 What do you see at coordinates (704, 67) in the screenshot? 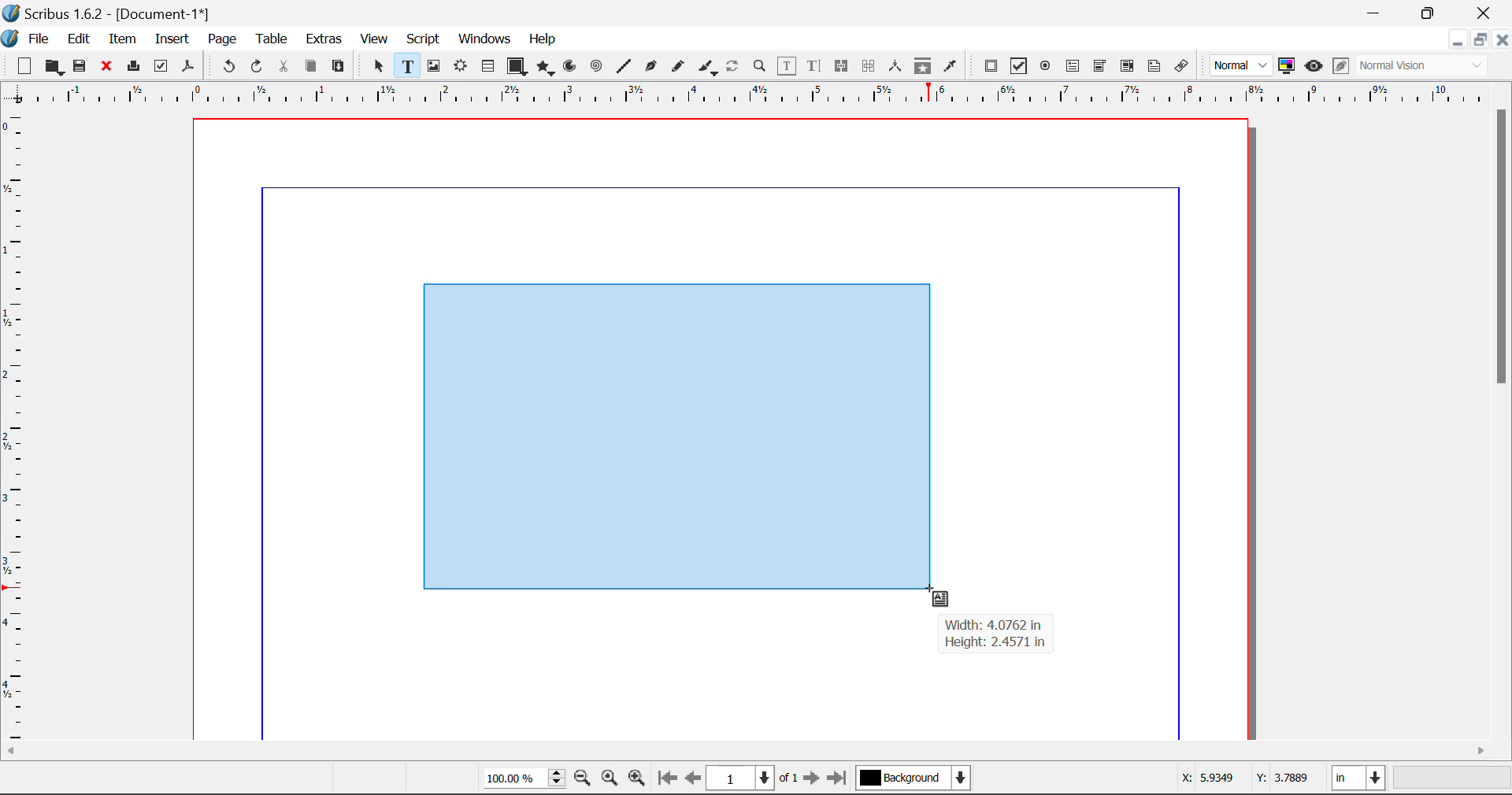
I see `Calligraphic Line` at bounding box center [704, 67].